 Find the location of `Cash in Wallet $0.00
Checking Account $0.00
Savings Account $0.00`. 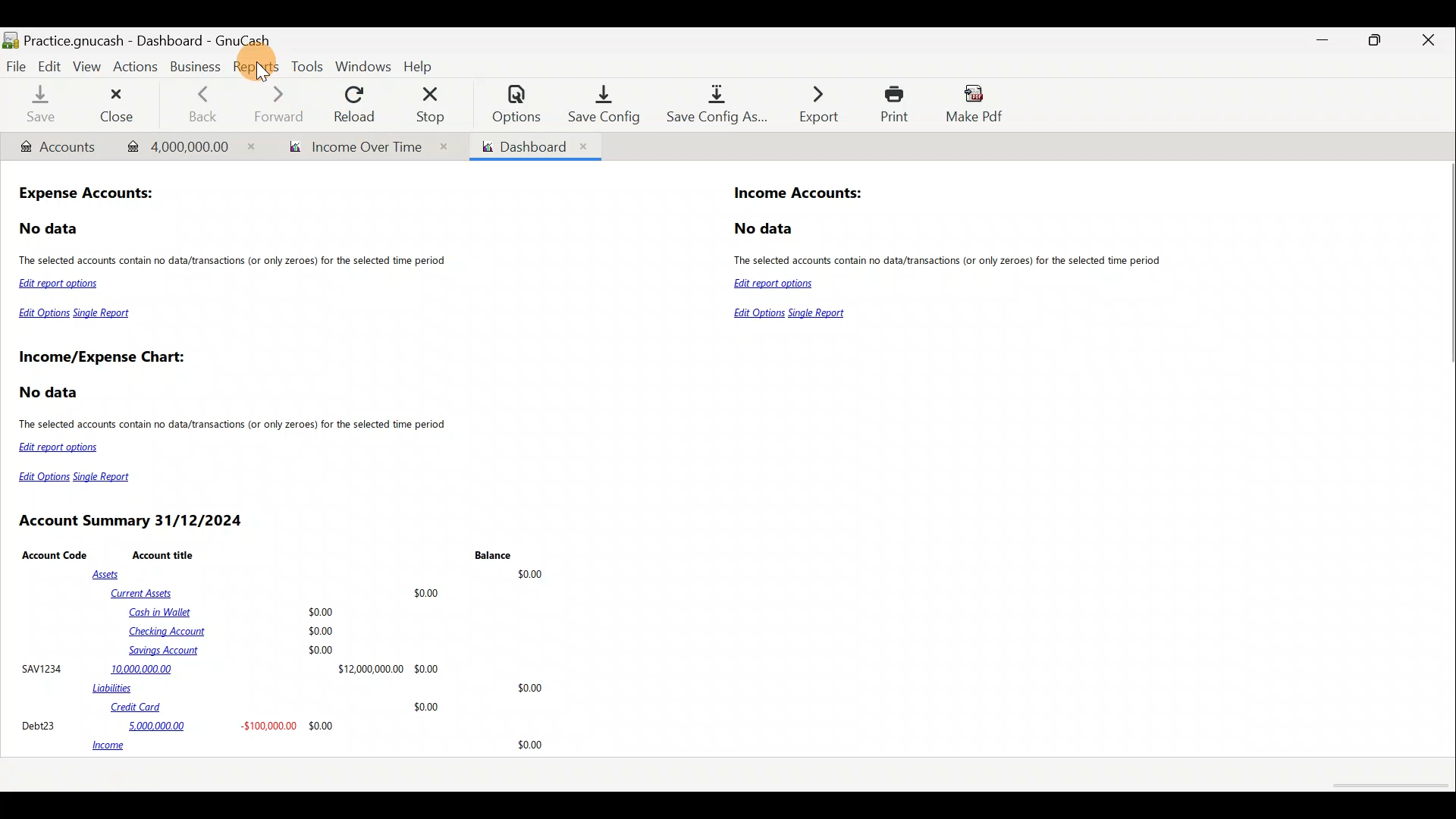

Cash in Wallet $0.00
Checking Account $0.00
Savings Account $0.00 is located at coordinates (234, 631).